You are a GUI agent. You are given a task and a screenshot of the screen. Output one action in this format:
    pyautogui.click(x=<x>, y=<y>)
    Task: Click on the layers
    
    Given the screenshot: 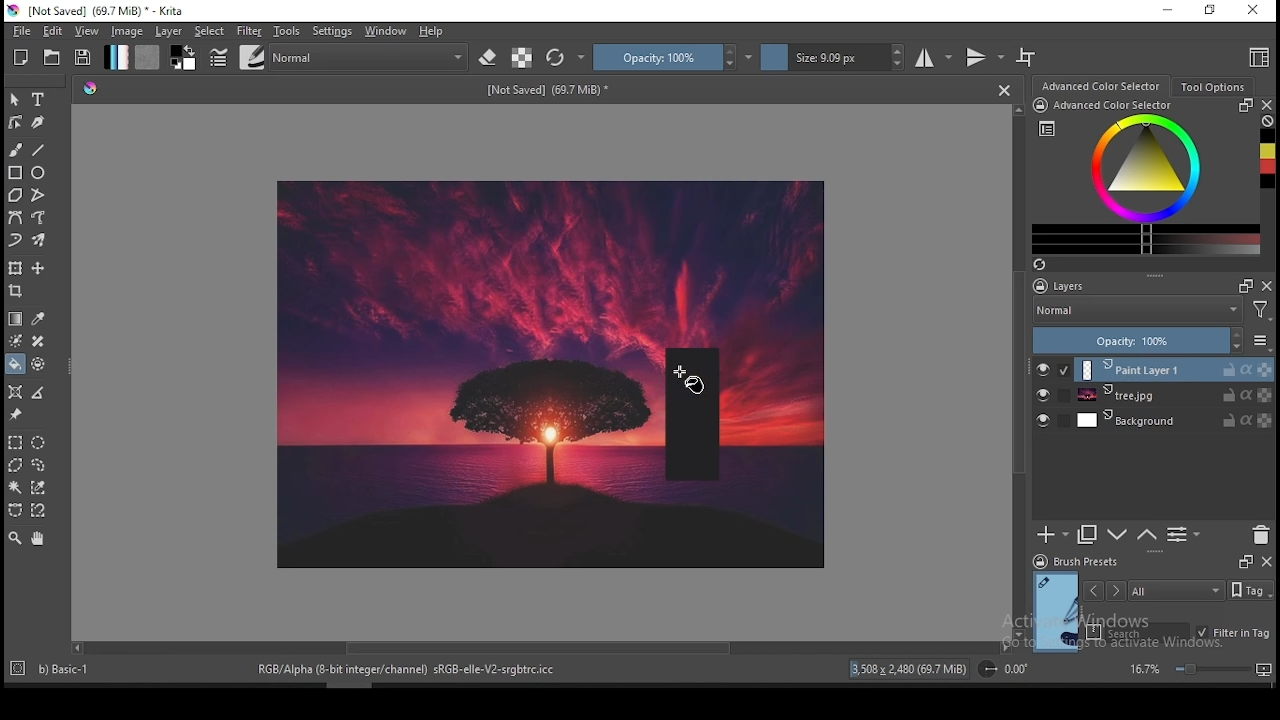 What is the action you would take?
    pyautogui.click(x=1110, y=285)
    